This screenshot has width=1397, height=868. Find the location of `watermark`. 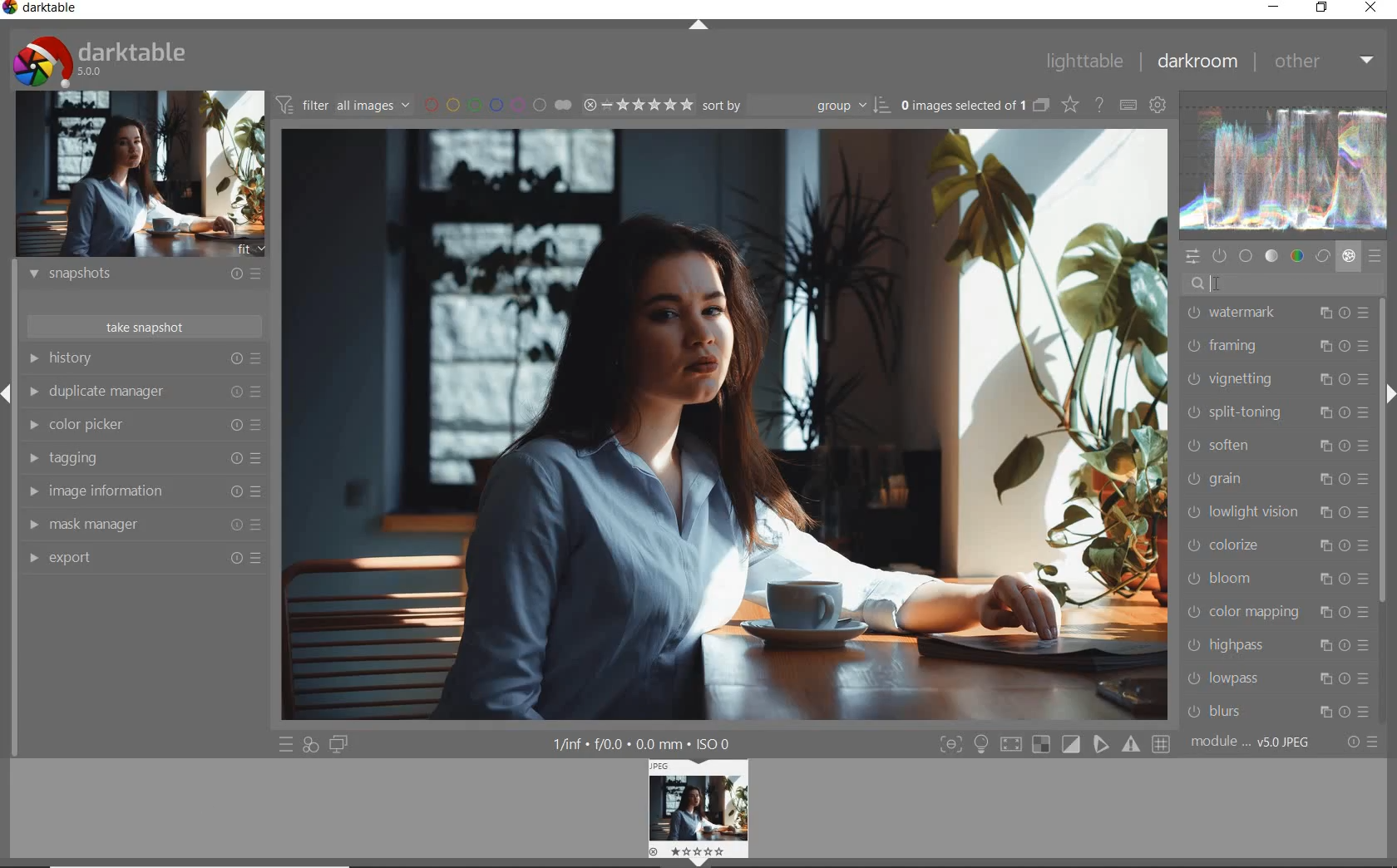

watermark is located at coordinates (1278, 313).